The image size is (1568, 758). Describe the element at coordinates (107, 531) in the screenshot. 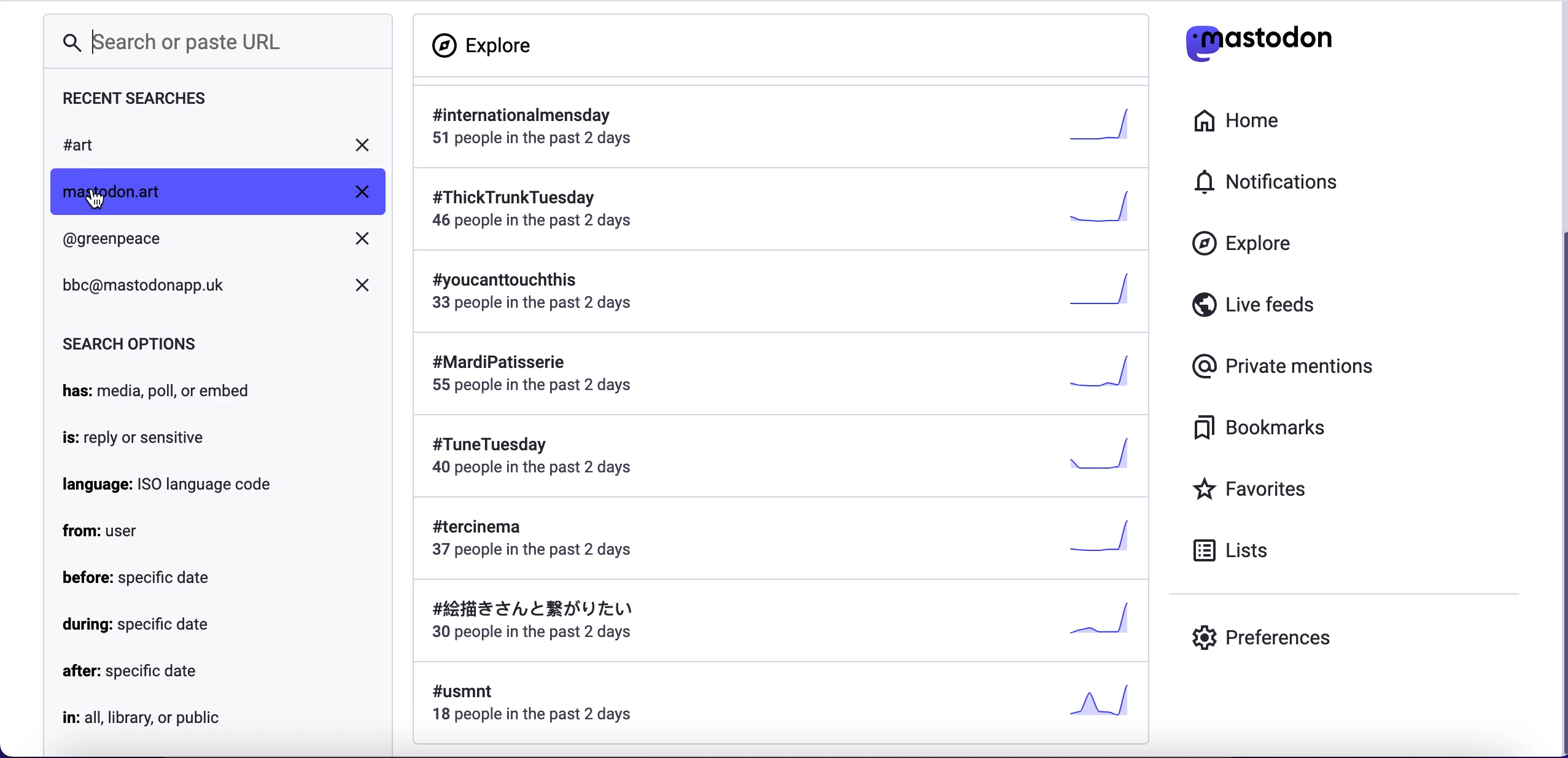

I see `from` at that location.